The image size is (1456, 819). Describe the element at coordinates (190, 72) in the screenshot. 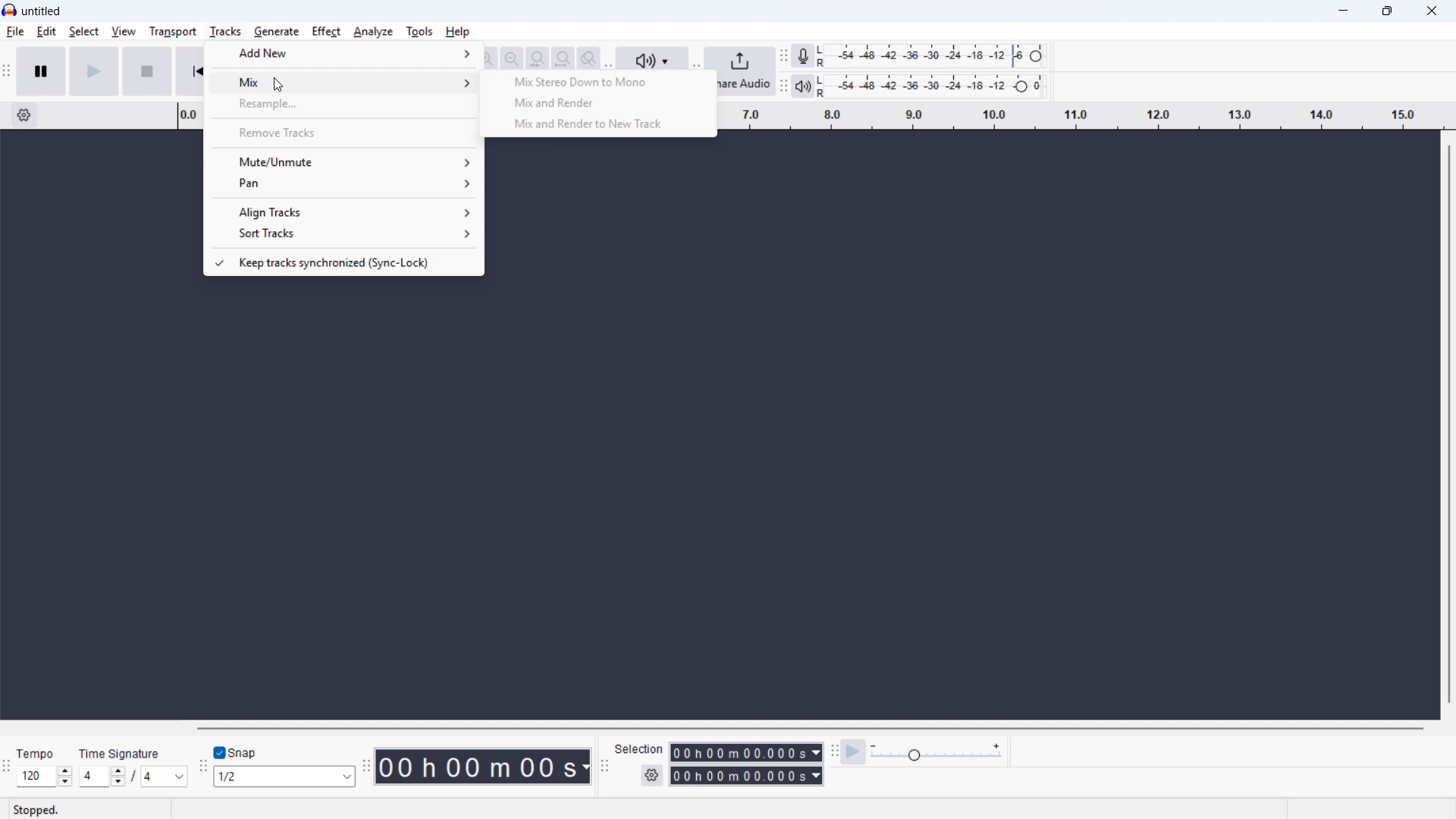

I see `Skip to beginning ` at that location.